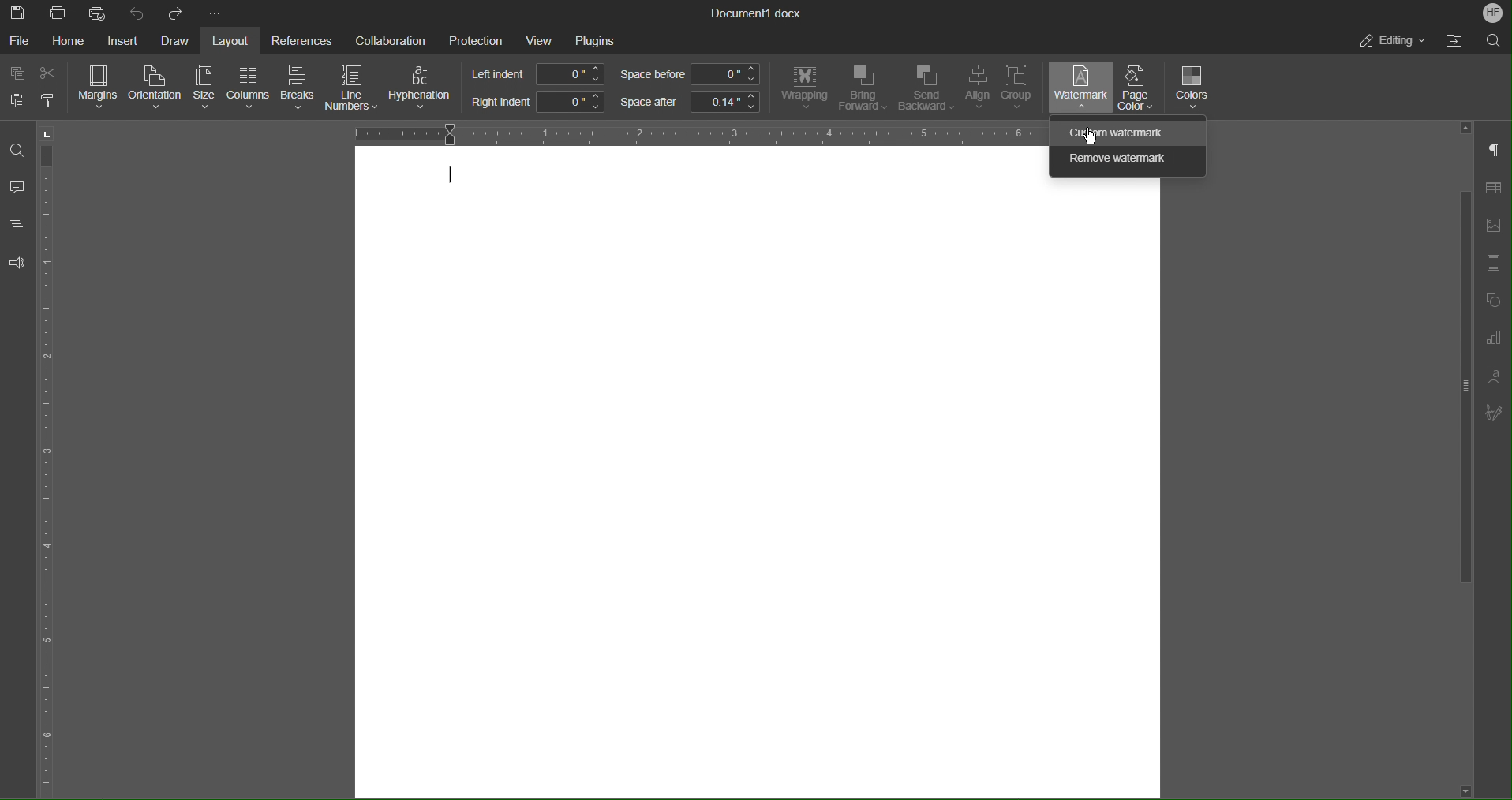  Describe the element at coordinates (122, 41) in the screenshot. I see `Insert` at that location.